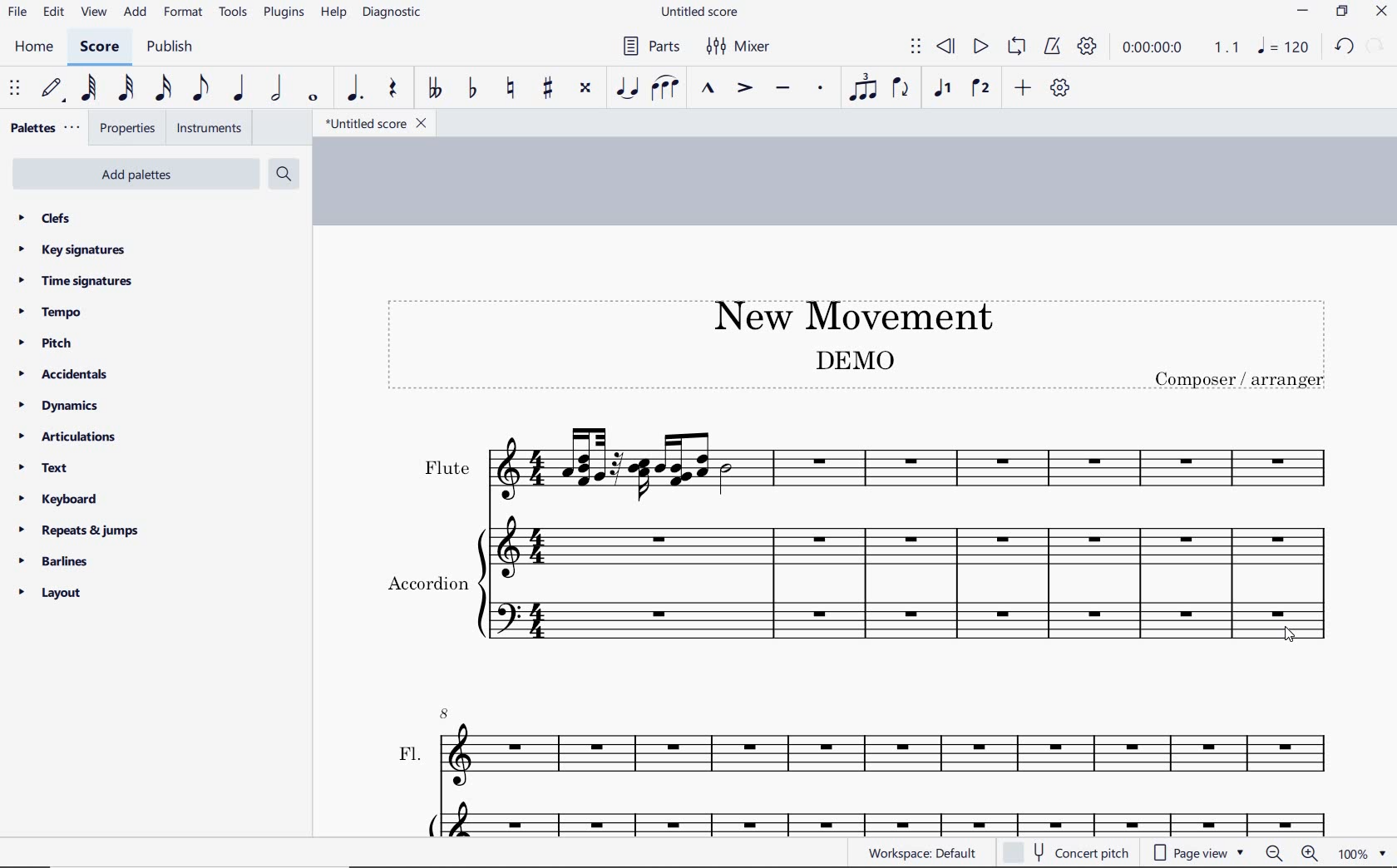 The height and width of the screenshot is (868, 1397). What do you see at coordinates (1303, 12) in the screenshot?
I see `minimize` at bounding box center [1303, 12].